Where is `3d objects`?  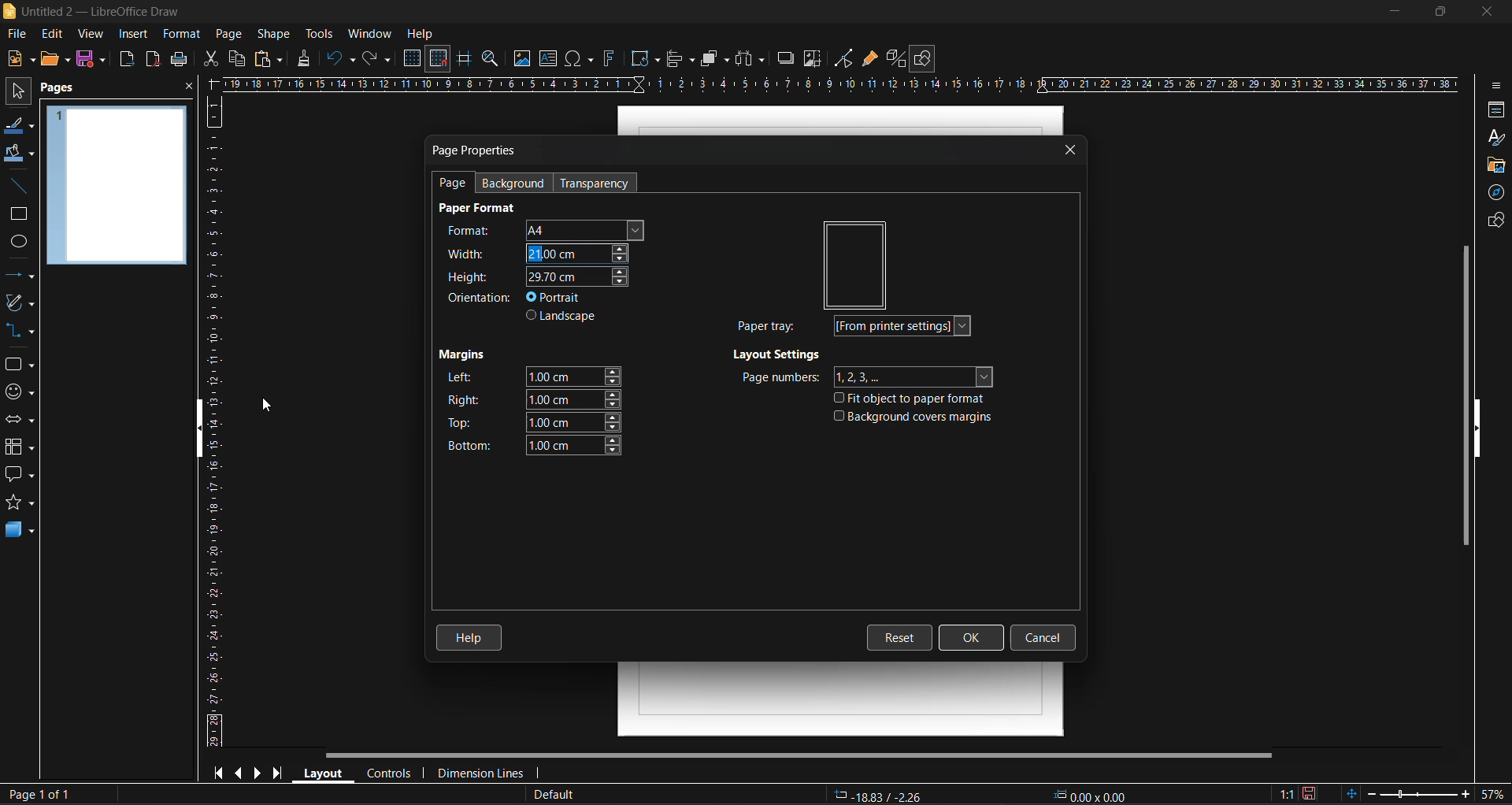
3d objects is located at coordinates (22, 532).